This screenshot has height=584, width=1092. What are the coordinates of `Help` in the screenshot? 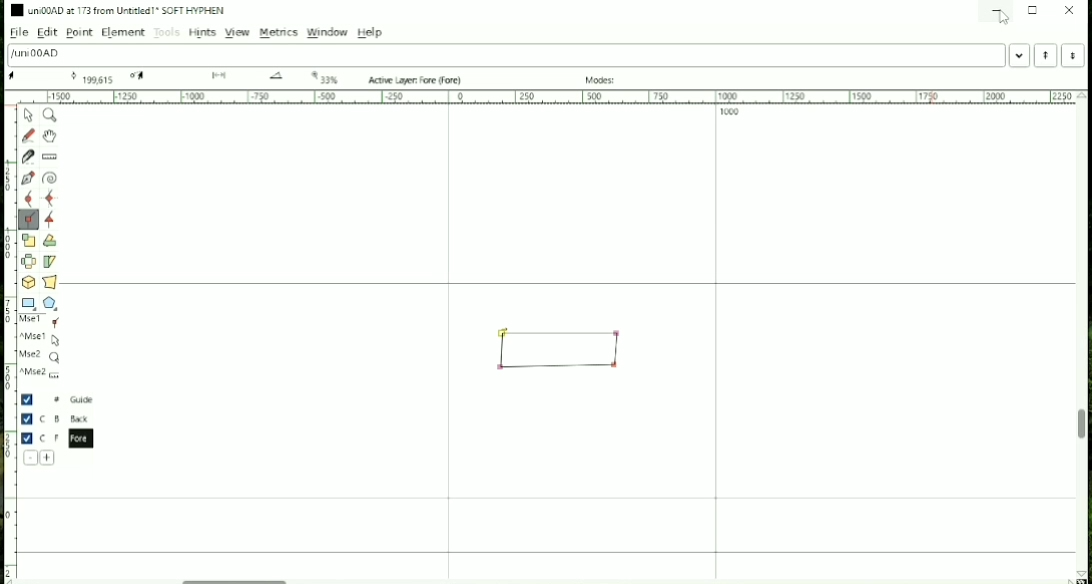 It's located at (370, 32).